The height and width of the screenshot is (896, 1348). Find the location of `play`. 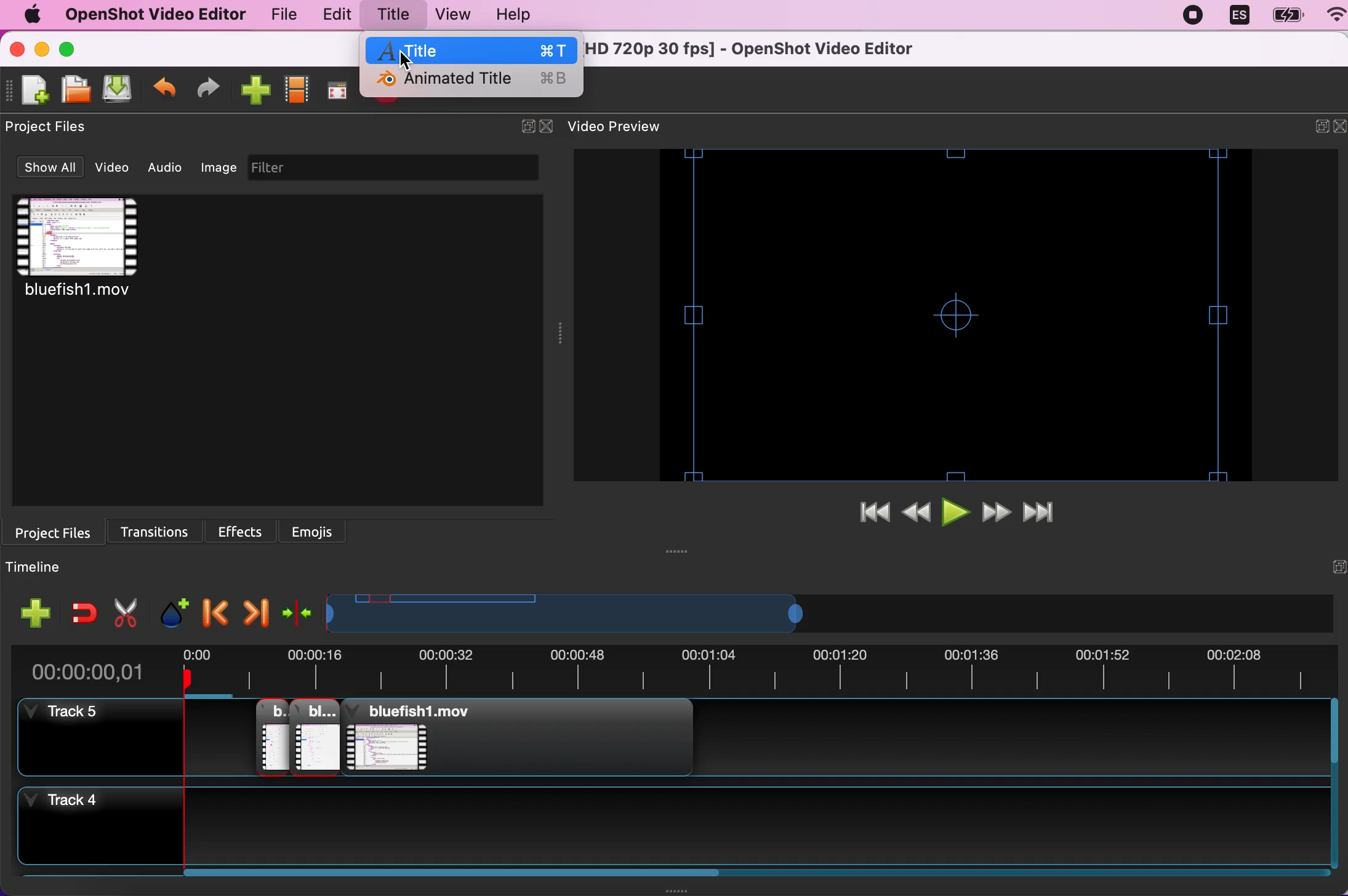

play is located at coordinates (957, 514).